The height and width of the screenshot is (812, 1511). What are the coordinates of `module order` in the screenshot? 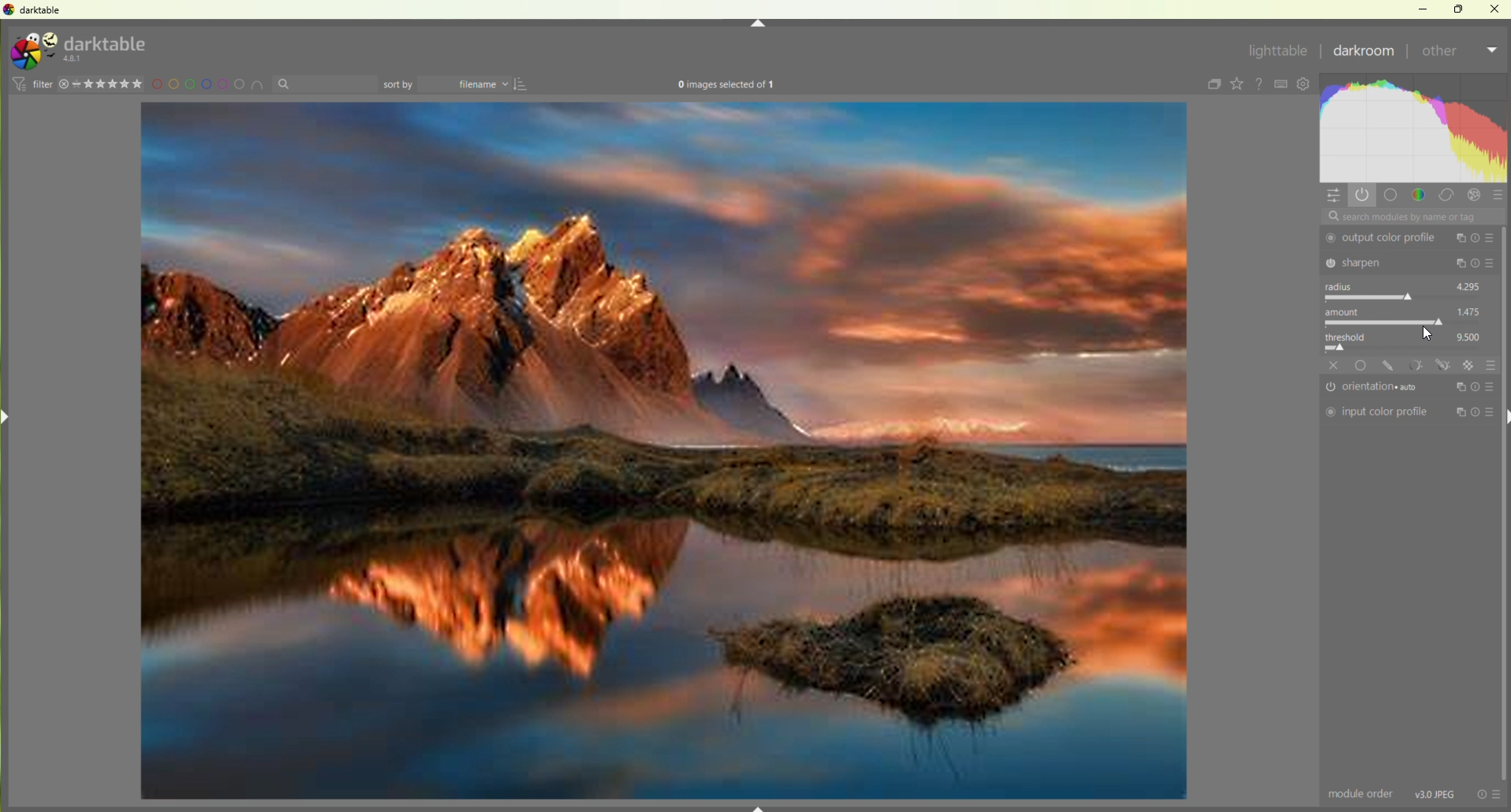 It's located at (1362, 795).